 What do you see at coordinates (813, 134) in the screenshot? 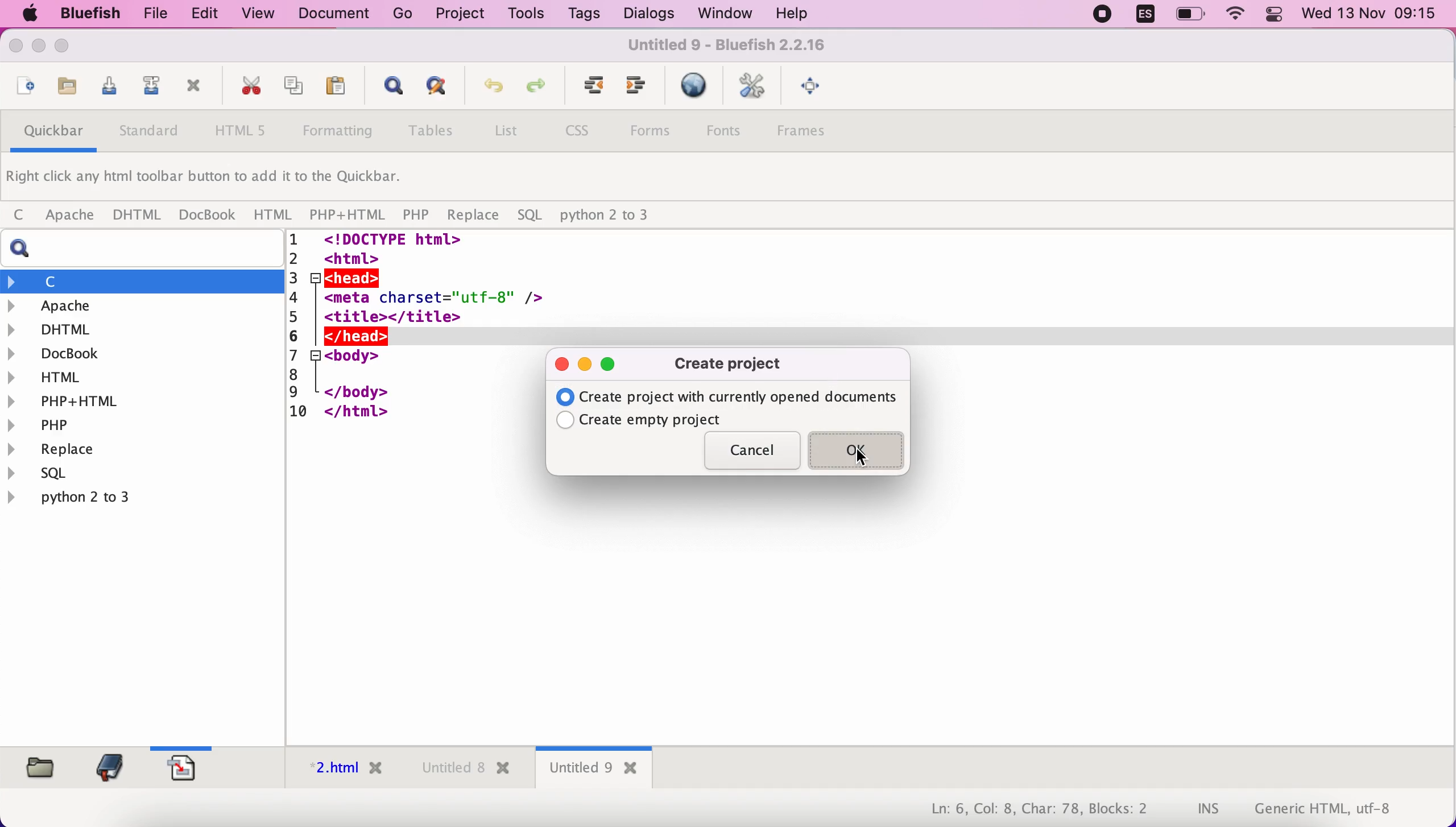
I see `frames` at bounding box center [813, 134].